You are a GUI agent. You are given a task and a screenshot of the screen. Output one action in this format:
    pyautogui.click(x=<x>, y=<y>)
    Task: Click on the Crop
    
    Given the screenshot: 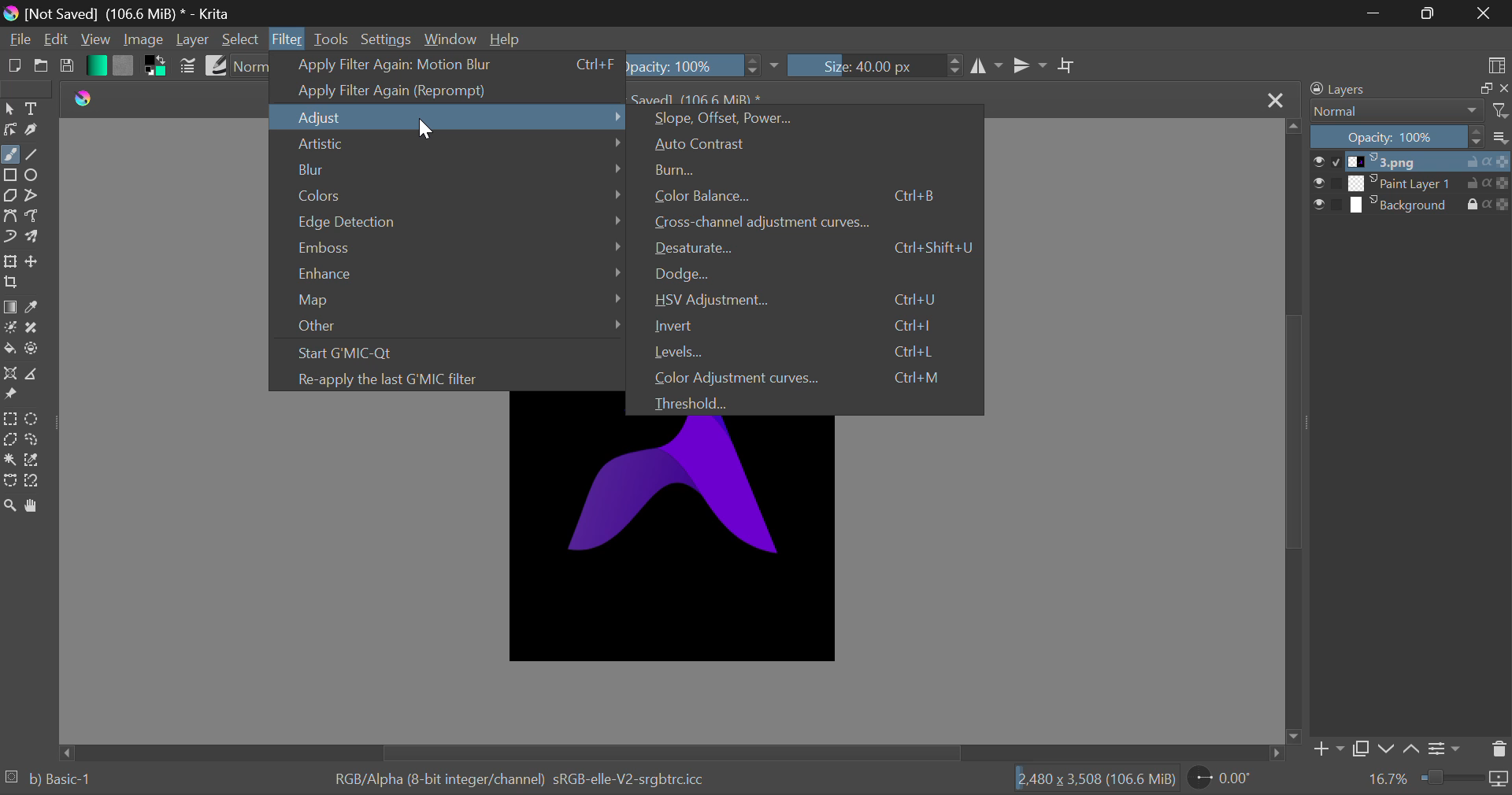 What is the action you would take?
    pyautogui.click(x=1065, y=65)
    